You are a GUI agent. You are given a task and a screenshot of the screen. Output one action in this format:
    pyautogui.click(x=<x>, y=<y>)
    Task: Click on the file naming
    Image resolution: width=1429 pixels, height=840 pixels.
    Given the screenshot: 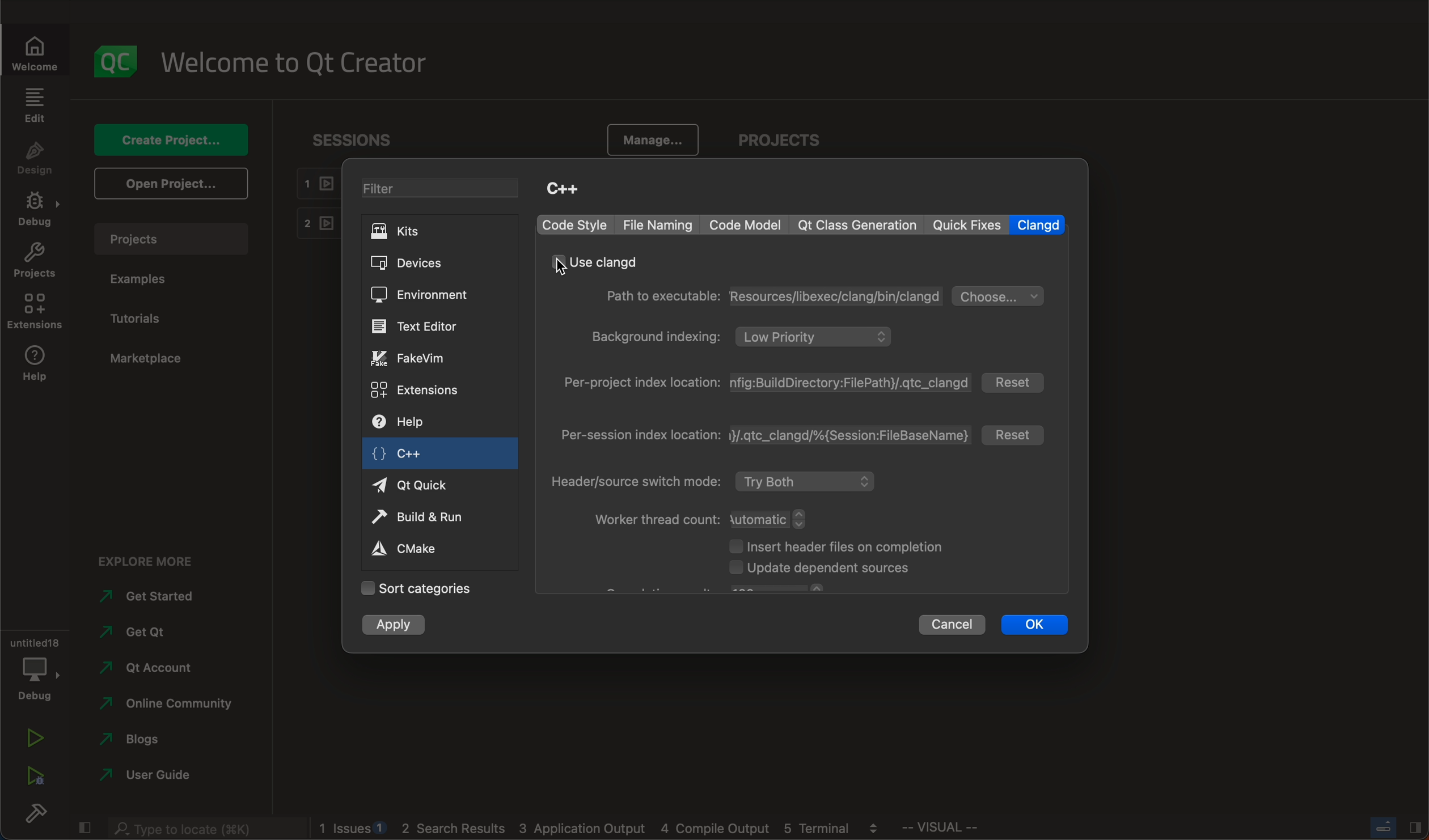 What is the action you would take?
    pyautogui.click(x=658, y=225)
    